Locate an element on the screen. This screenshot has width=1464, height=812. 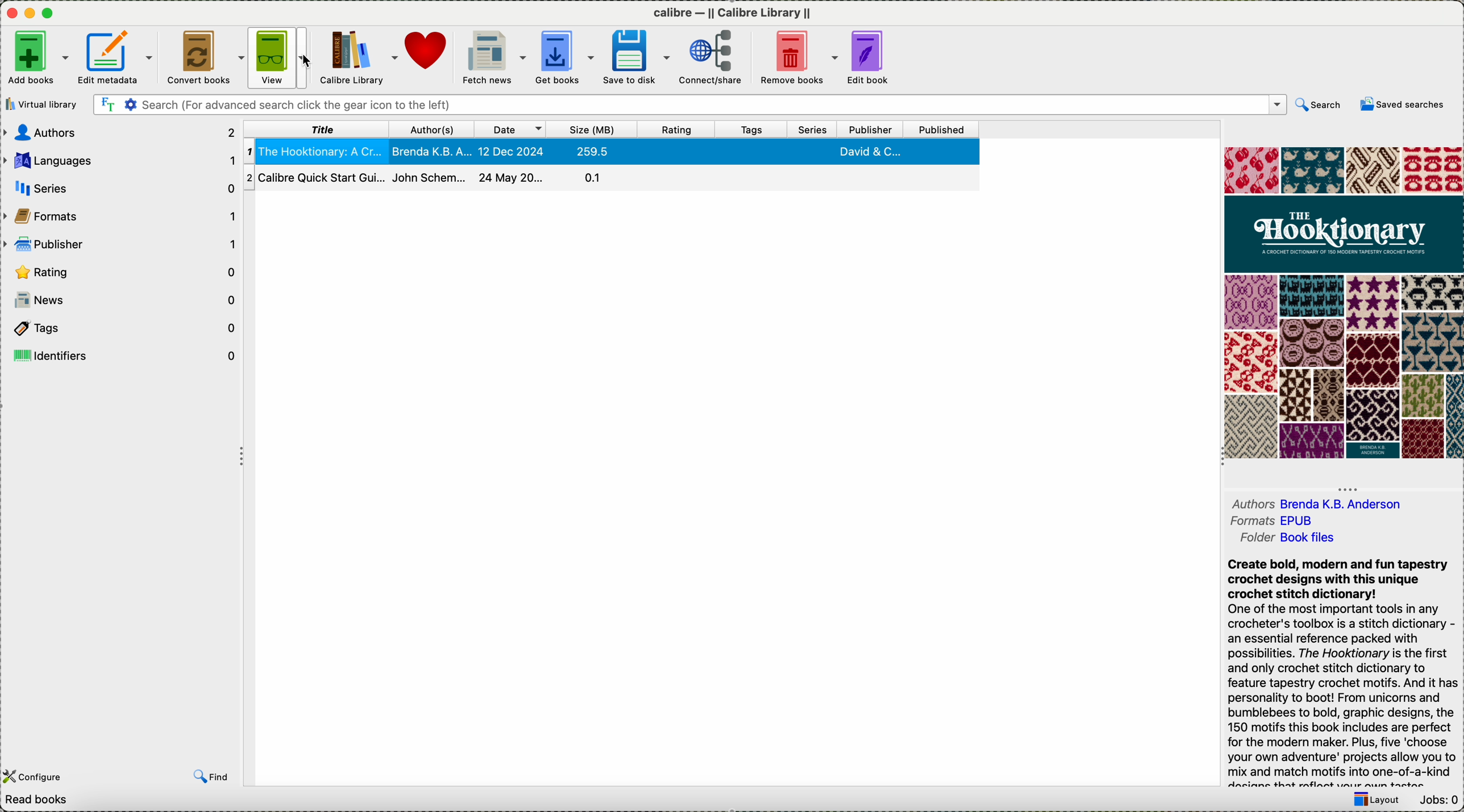
tags is located at coordinates (120, 327).